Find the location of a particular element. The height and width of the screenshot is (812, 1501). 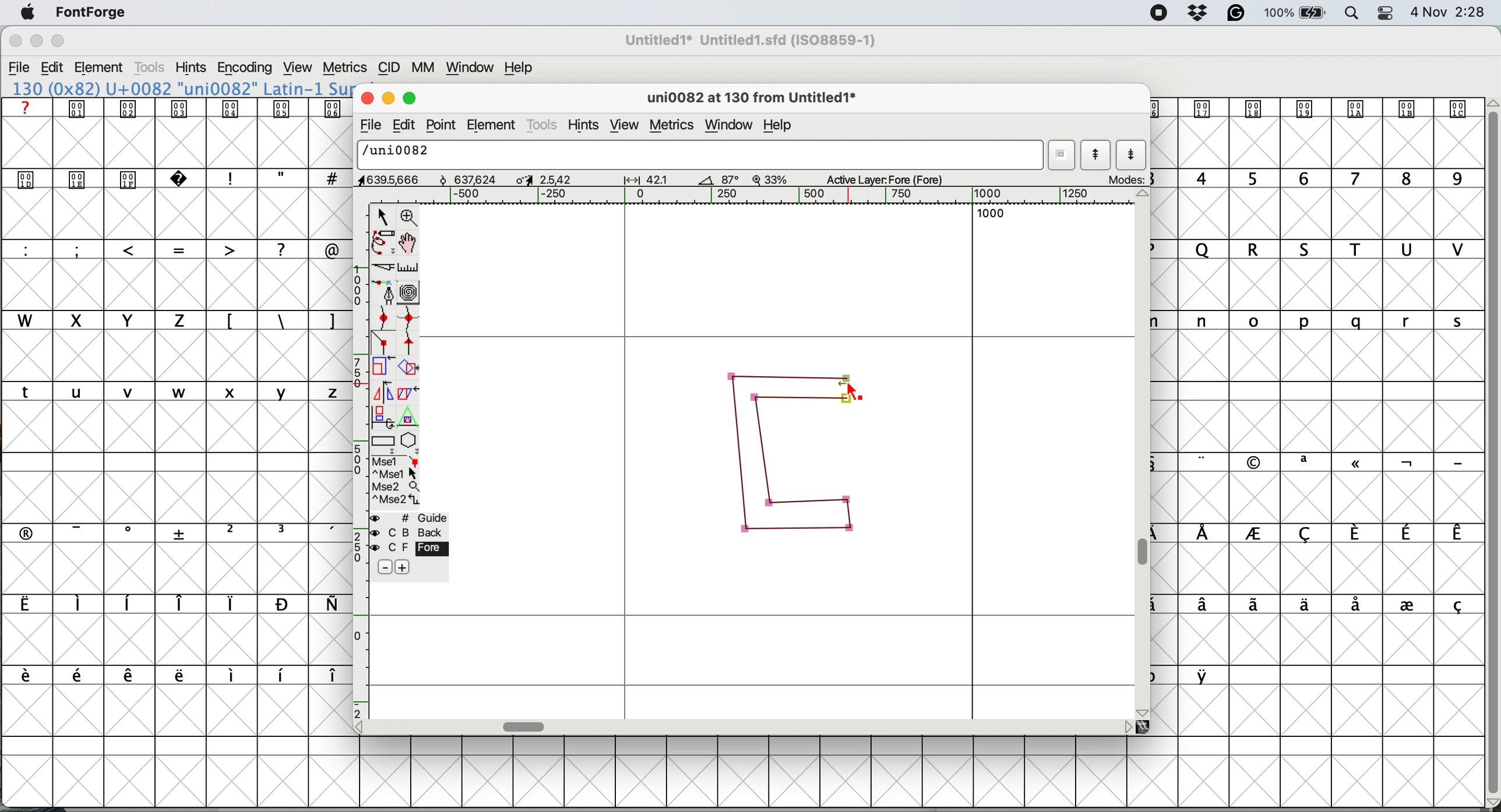

view is located at coordinates (625, 126).